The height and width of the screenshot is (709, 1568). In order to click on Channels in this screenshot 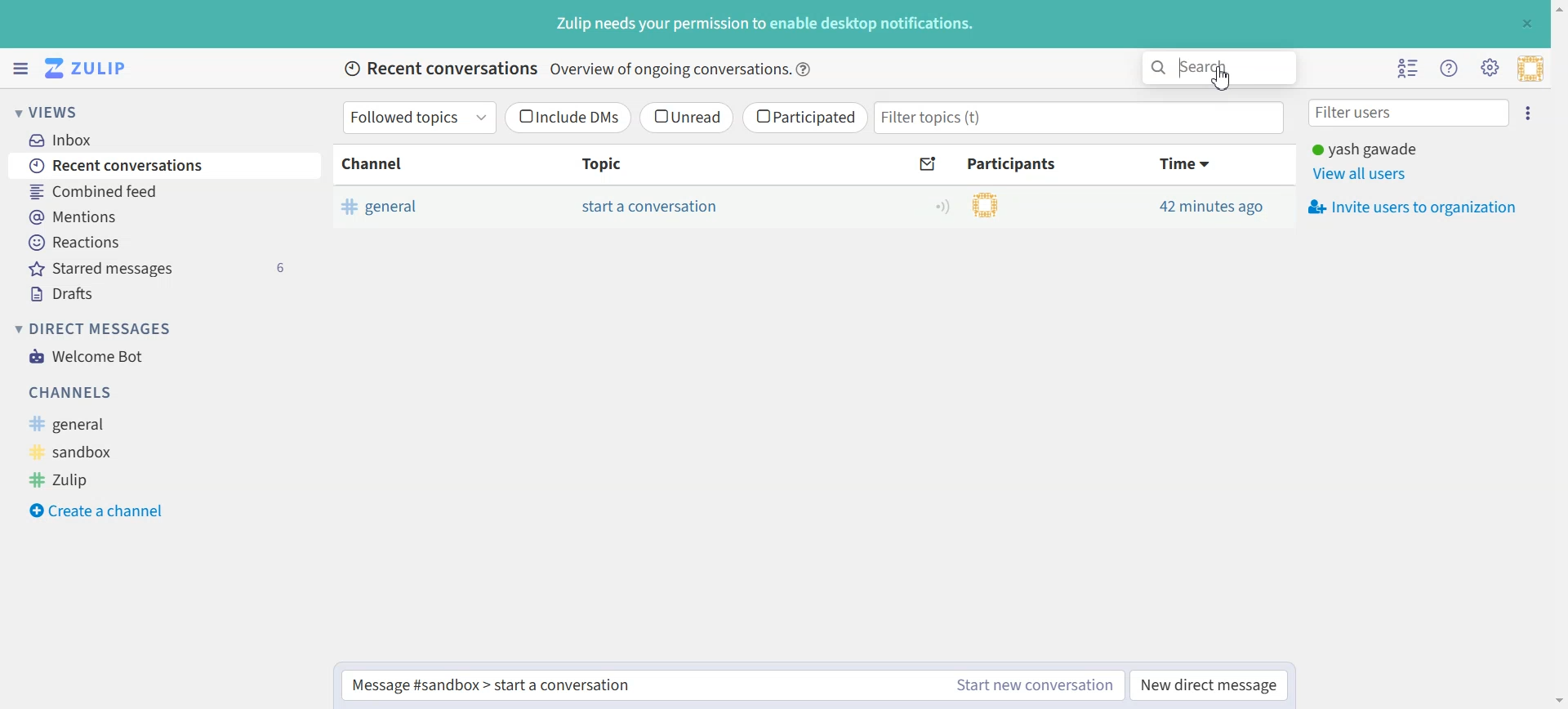, I will do `click(145, 393)`.